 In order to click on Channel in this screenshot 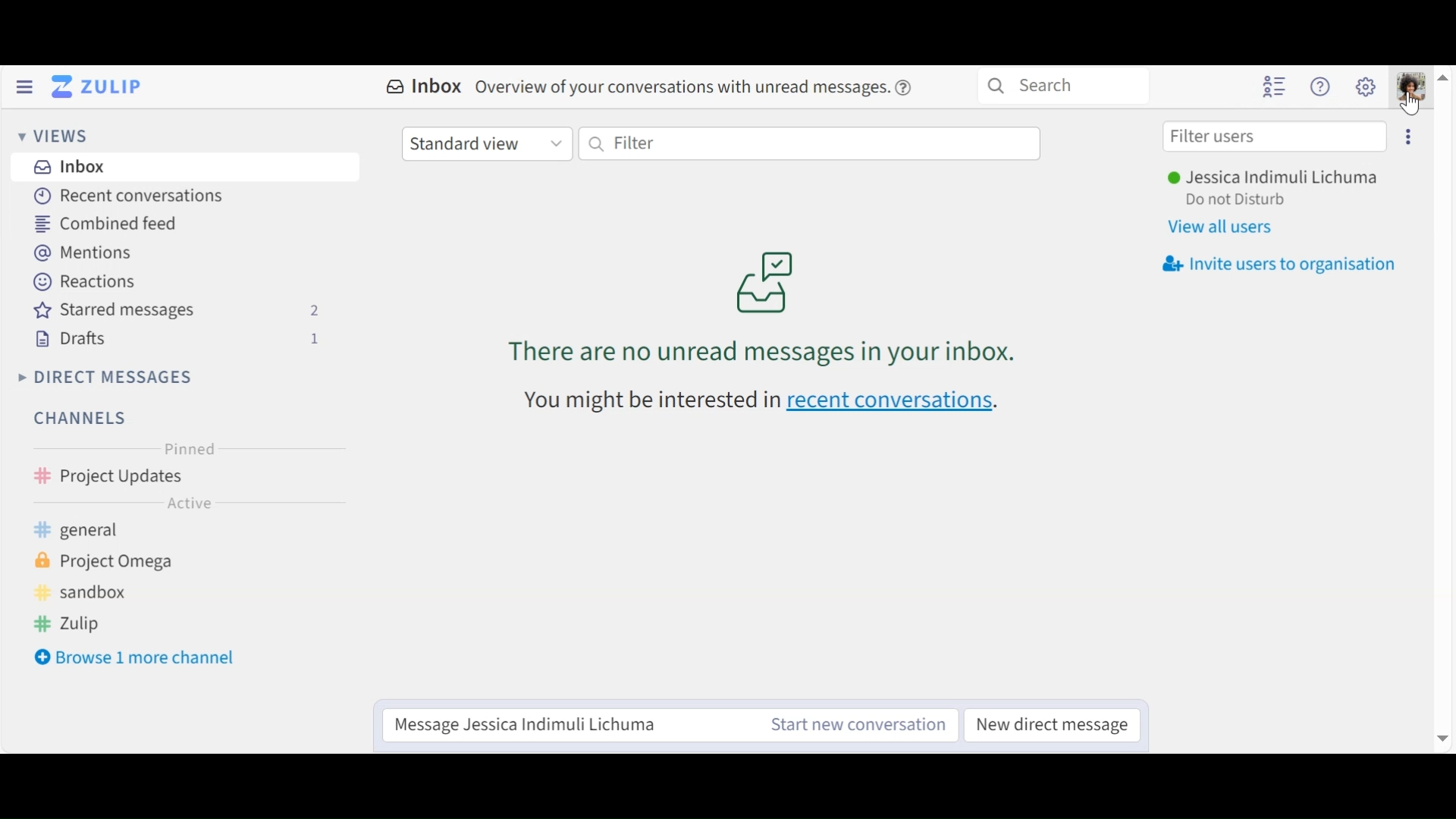, I will do `click(185, 475)`.